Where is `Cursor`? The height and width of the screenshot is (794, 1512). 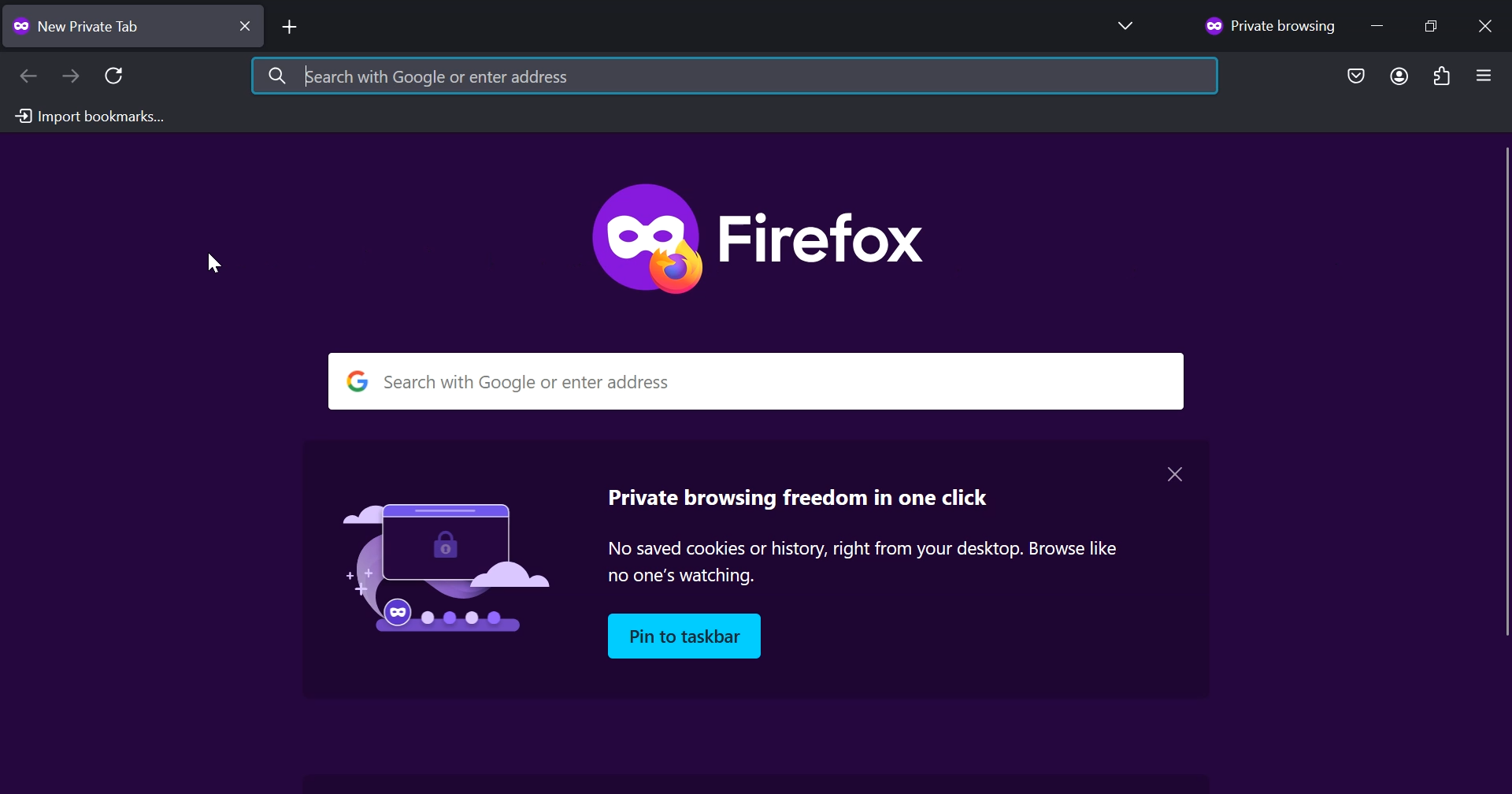 Cursor is located at coordinates (220, 264).